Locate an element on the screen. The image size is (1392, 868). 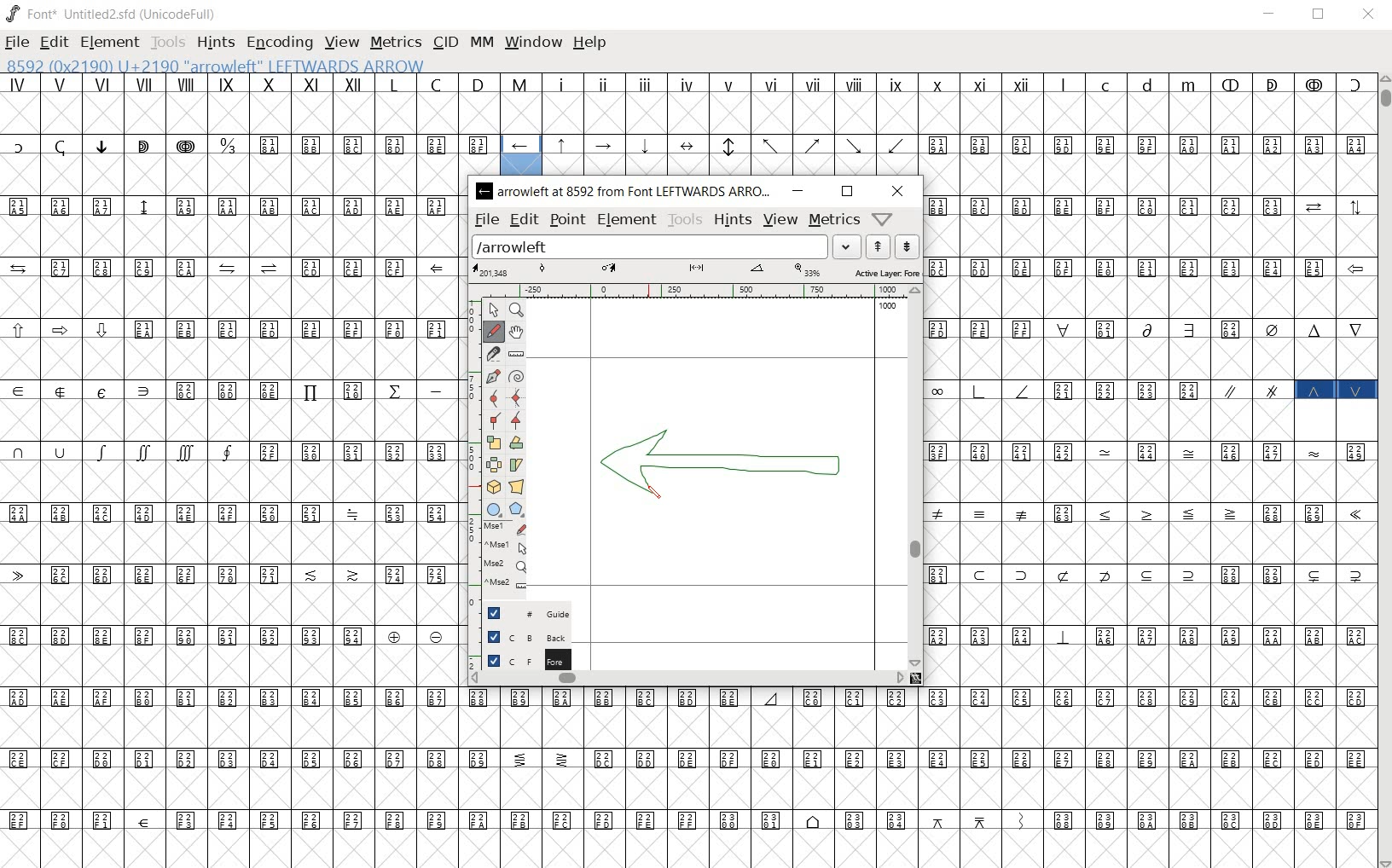
glyphs characters is located at coordinates (1149, 466).